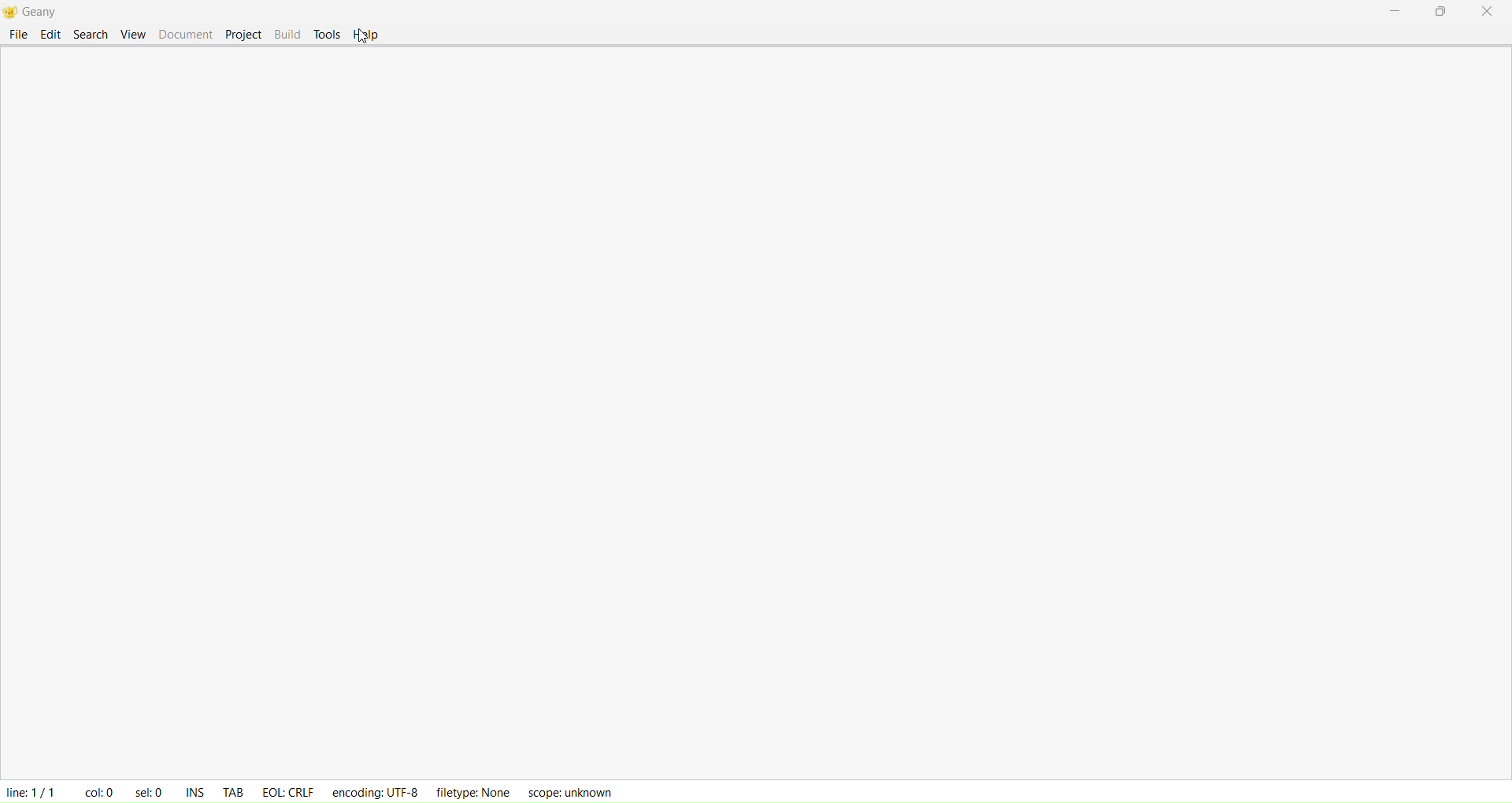 The image size is (1512, 803). I want to click on document, so click(184, 32).